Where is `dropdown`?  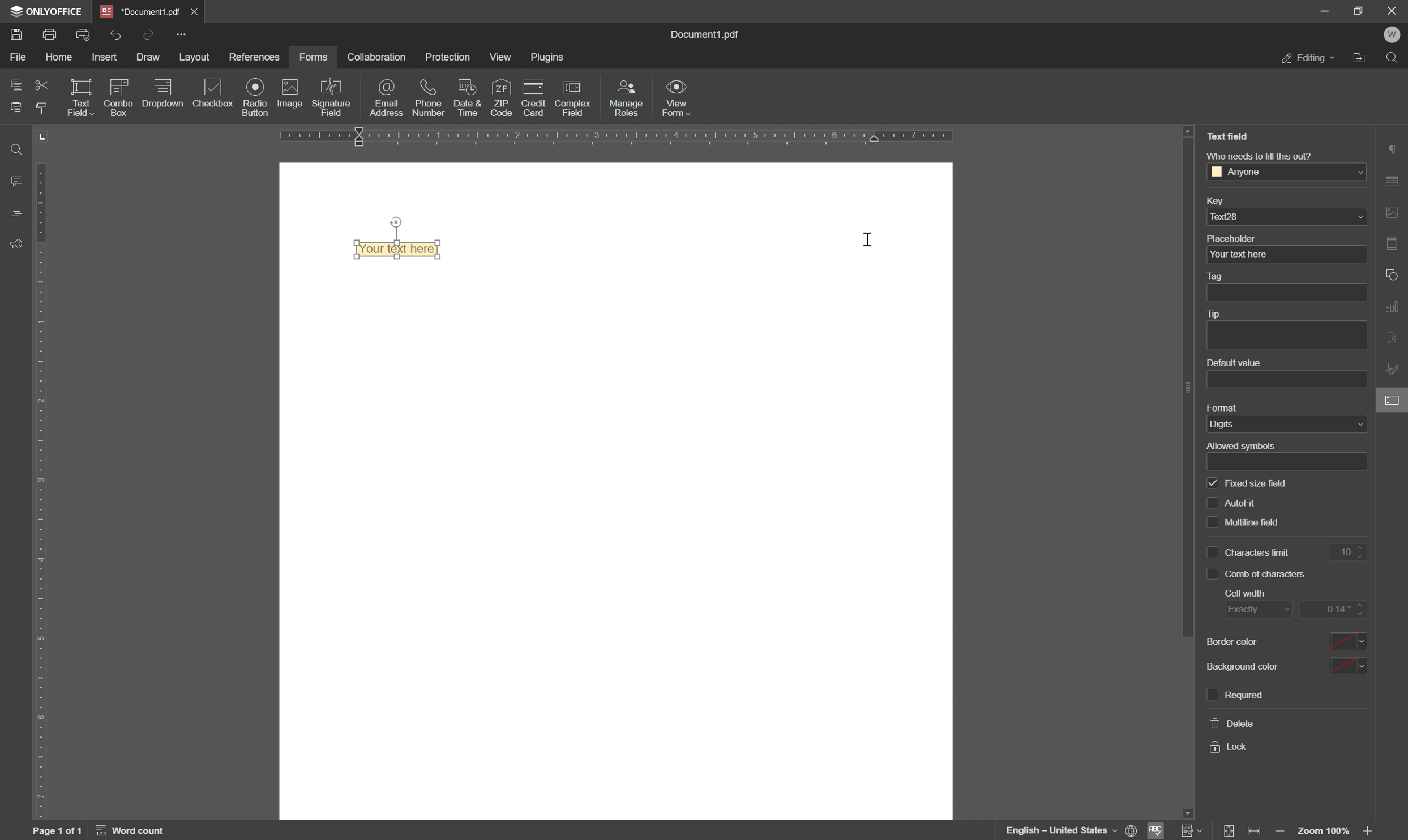 dropdown is located at coordinates (162, 112).